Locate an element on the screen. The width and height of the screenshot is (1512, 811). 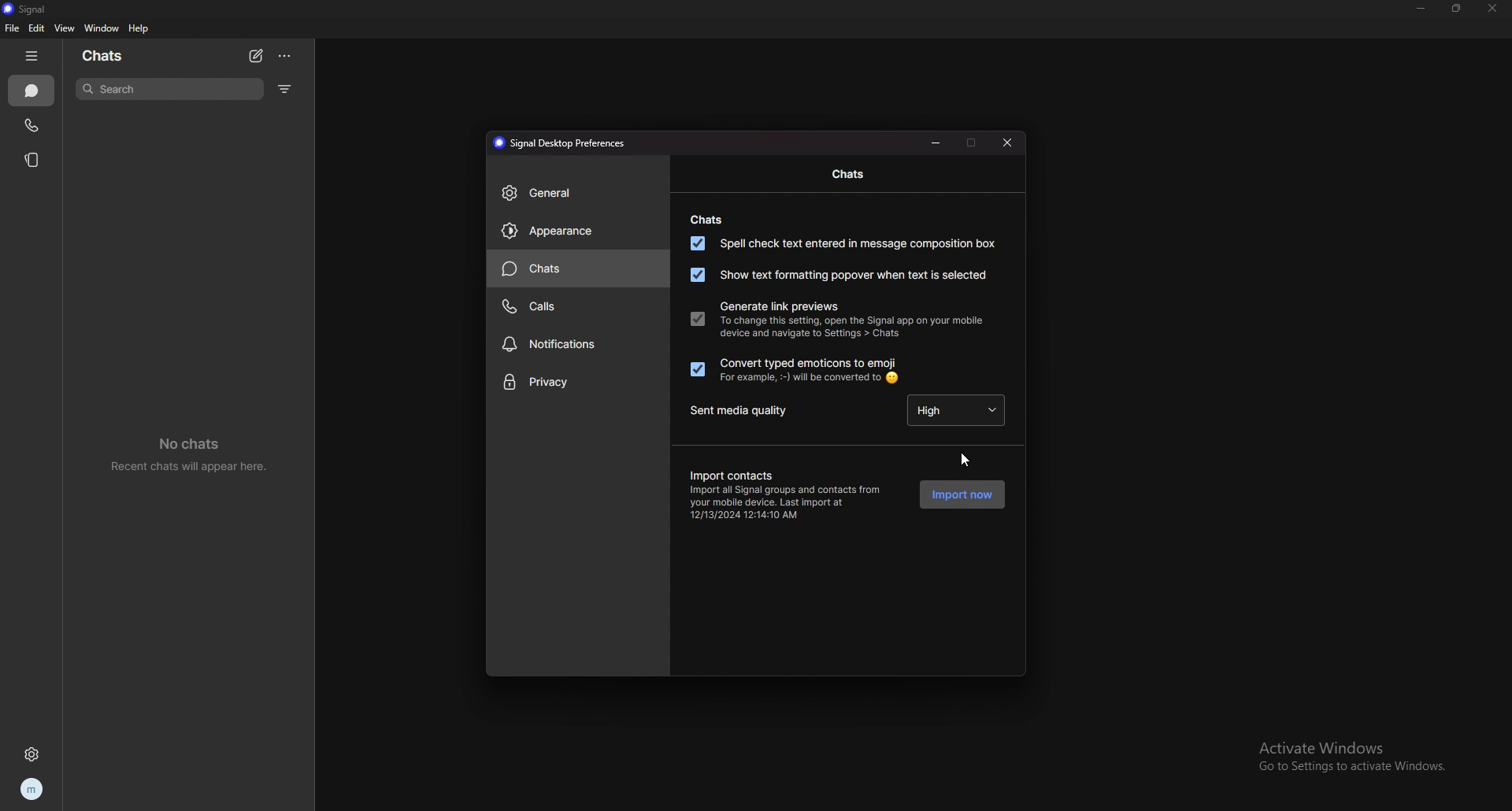
recent chats will appear here is located at coordinates (191, 452).